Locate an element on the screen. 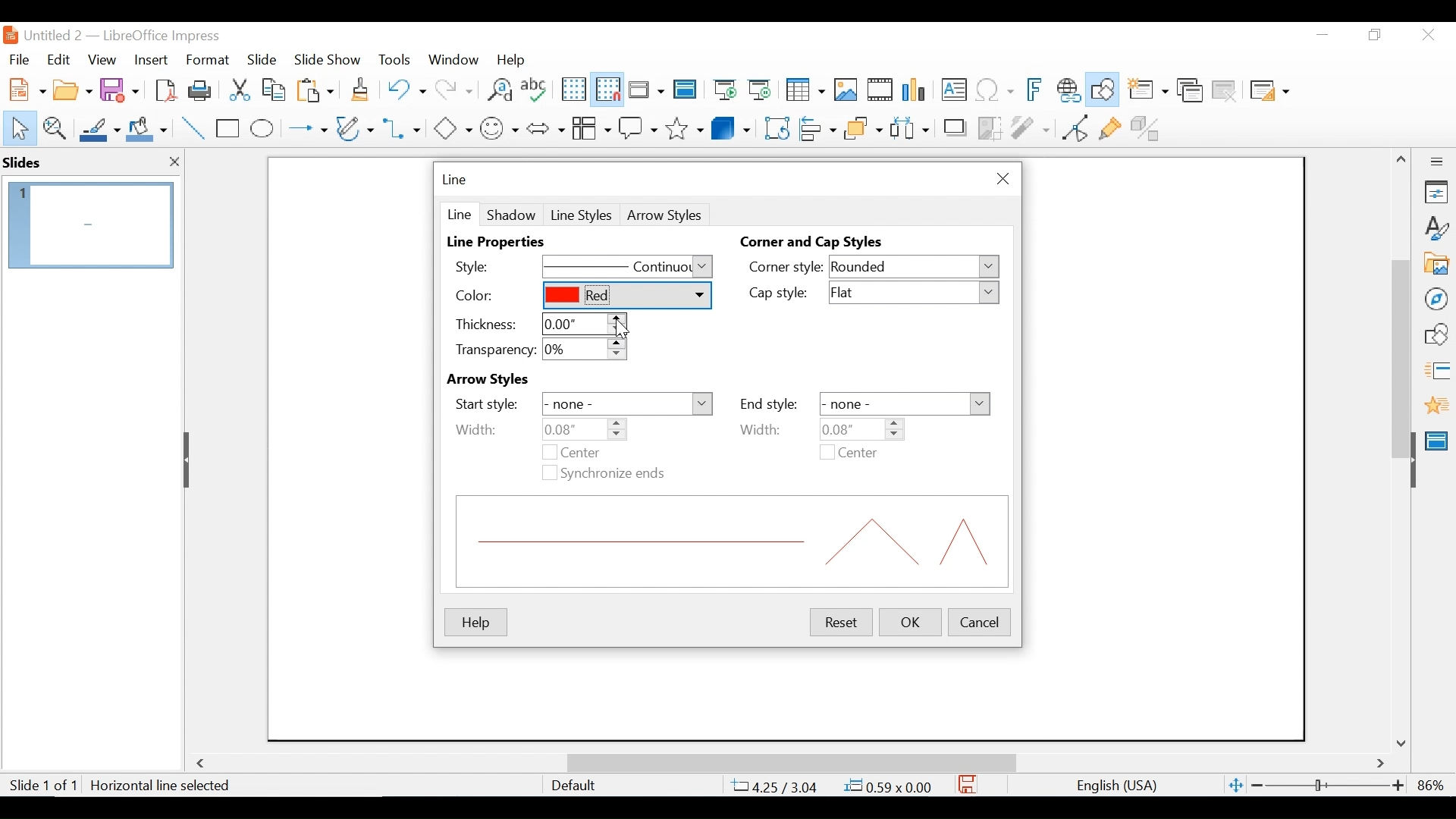  Insert Chart is located at coordinates (916, 91).